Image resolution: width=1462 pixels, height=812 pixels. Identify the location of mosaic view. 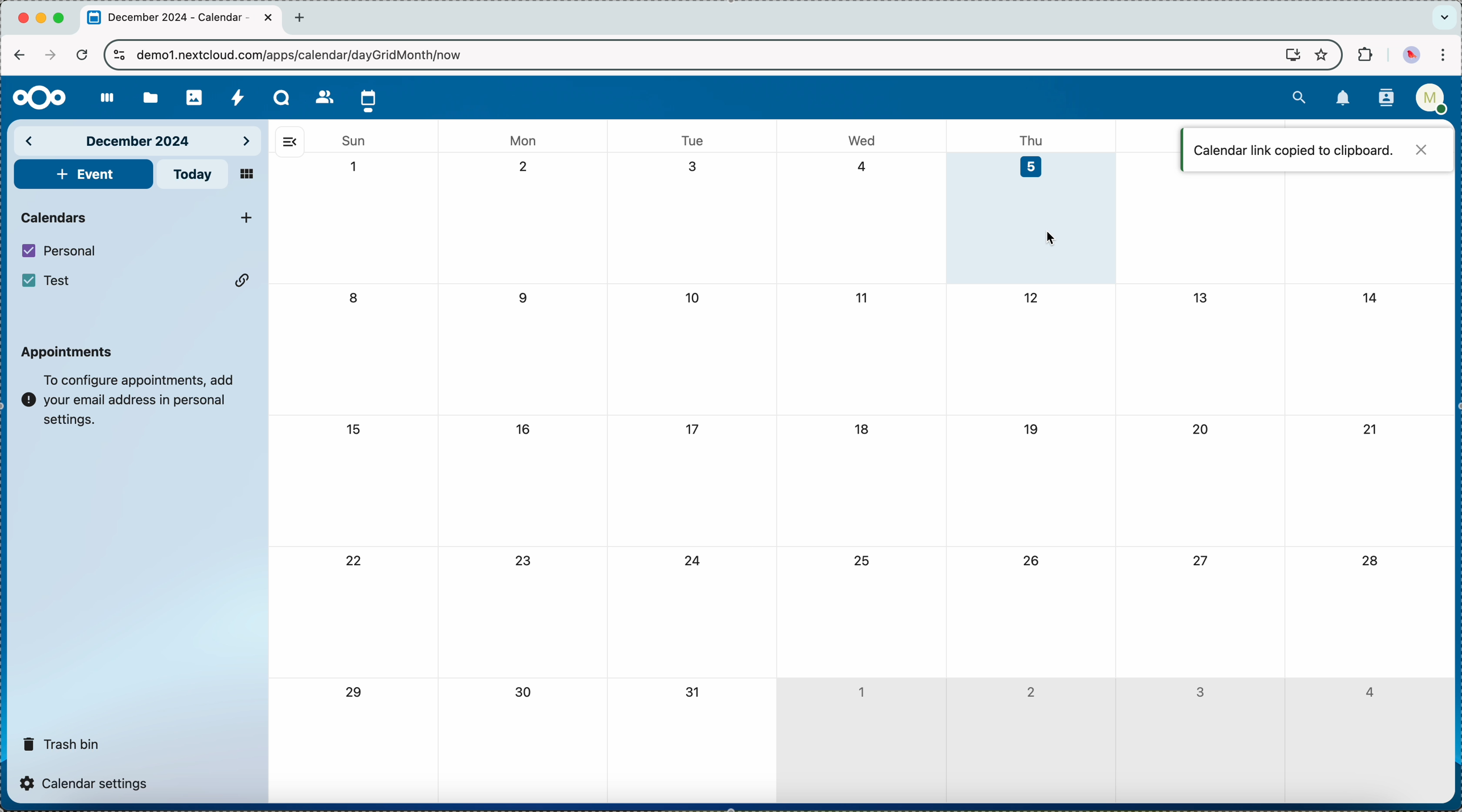
(247, 175).